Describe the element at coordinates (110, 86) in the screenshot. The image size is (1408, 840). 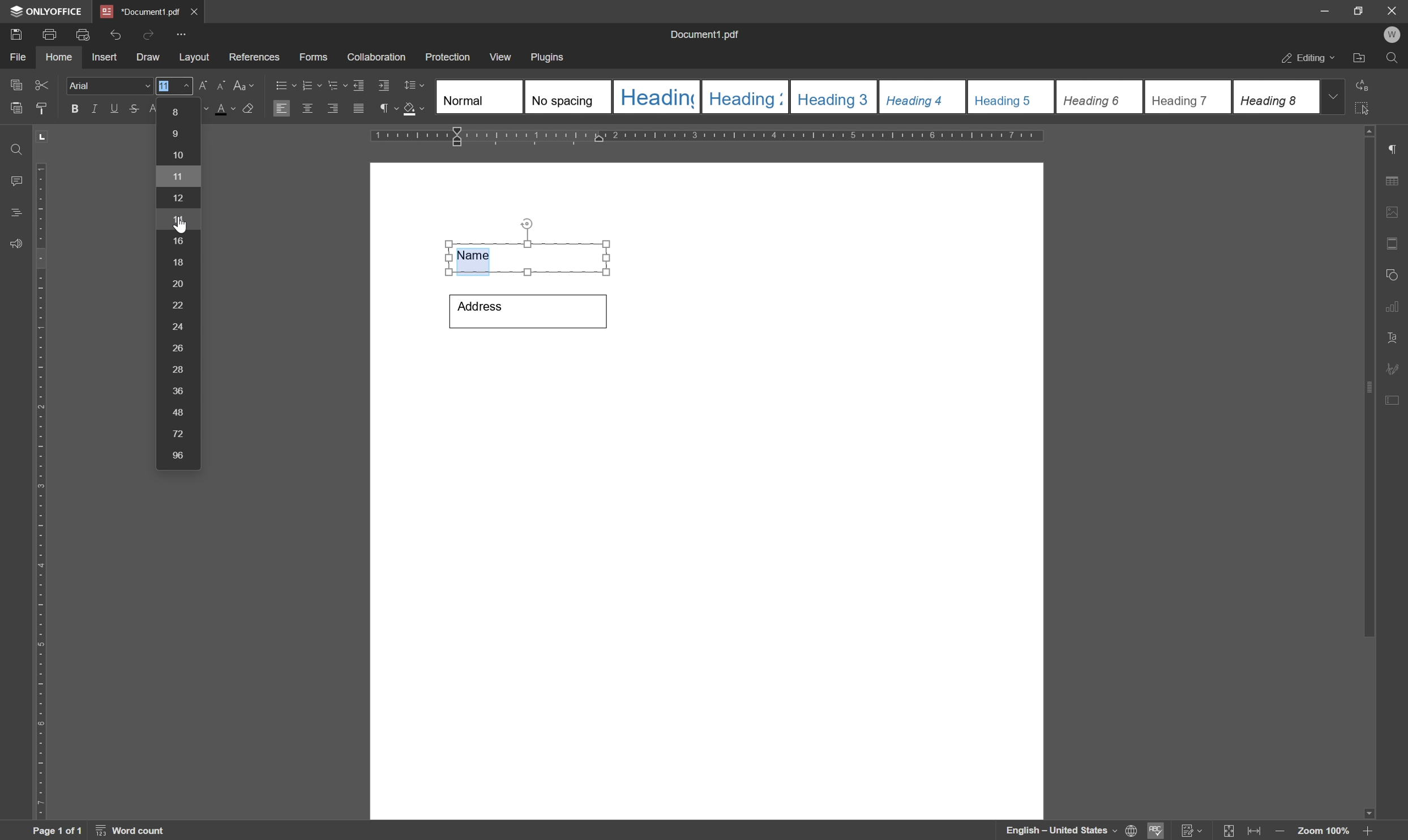
I see `font` at that location.